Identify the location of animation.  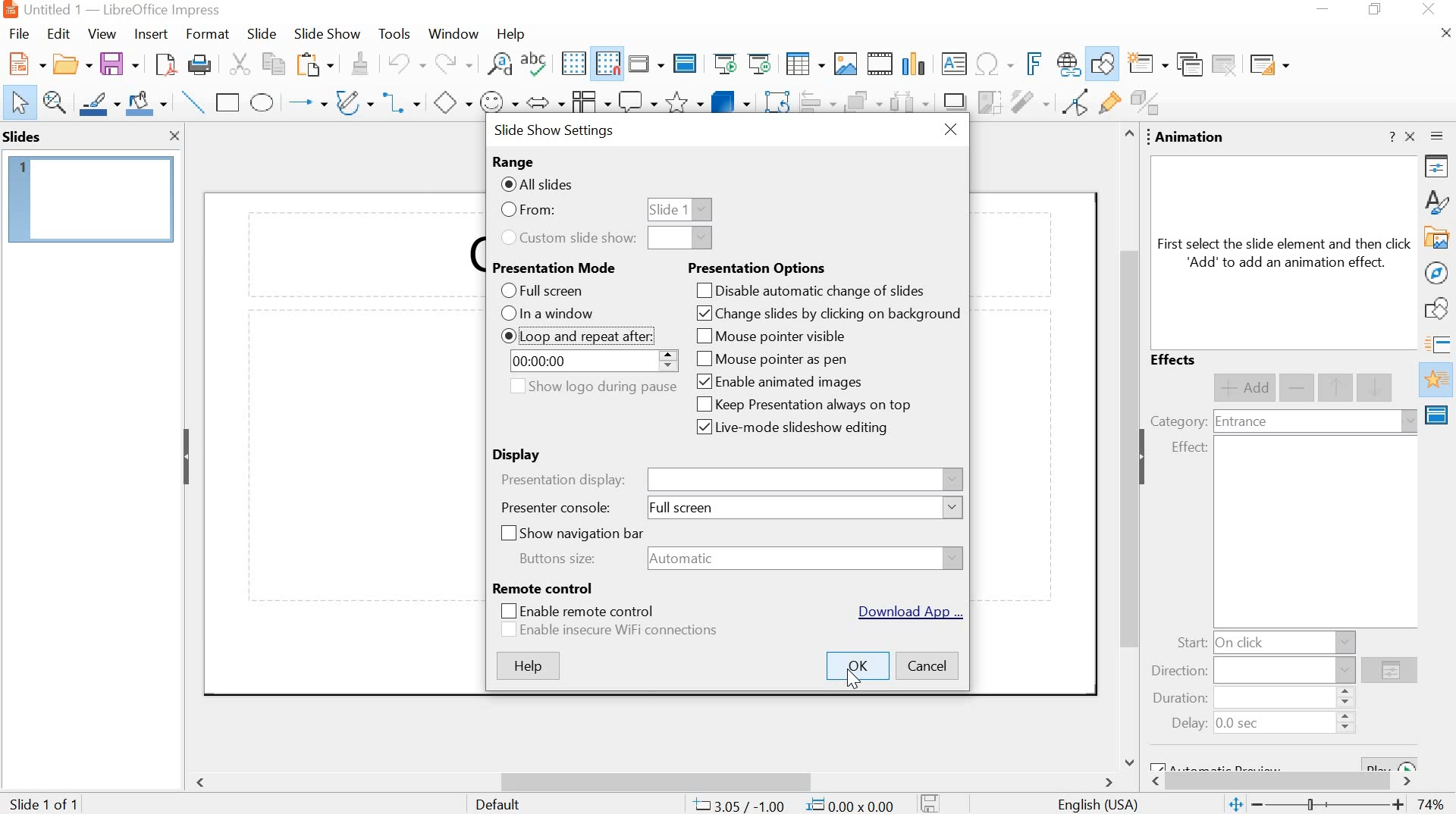
(1438, 380).